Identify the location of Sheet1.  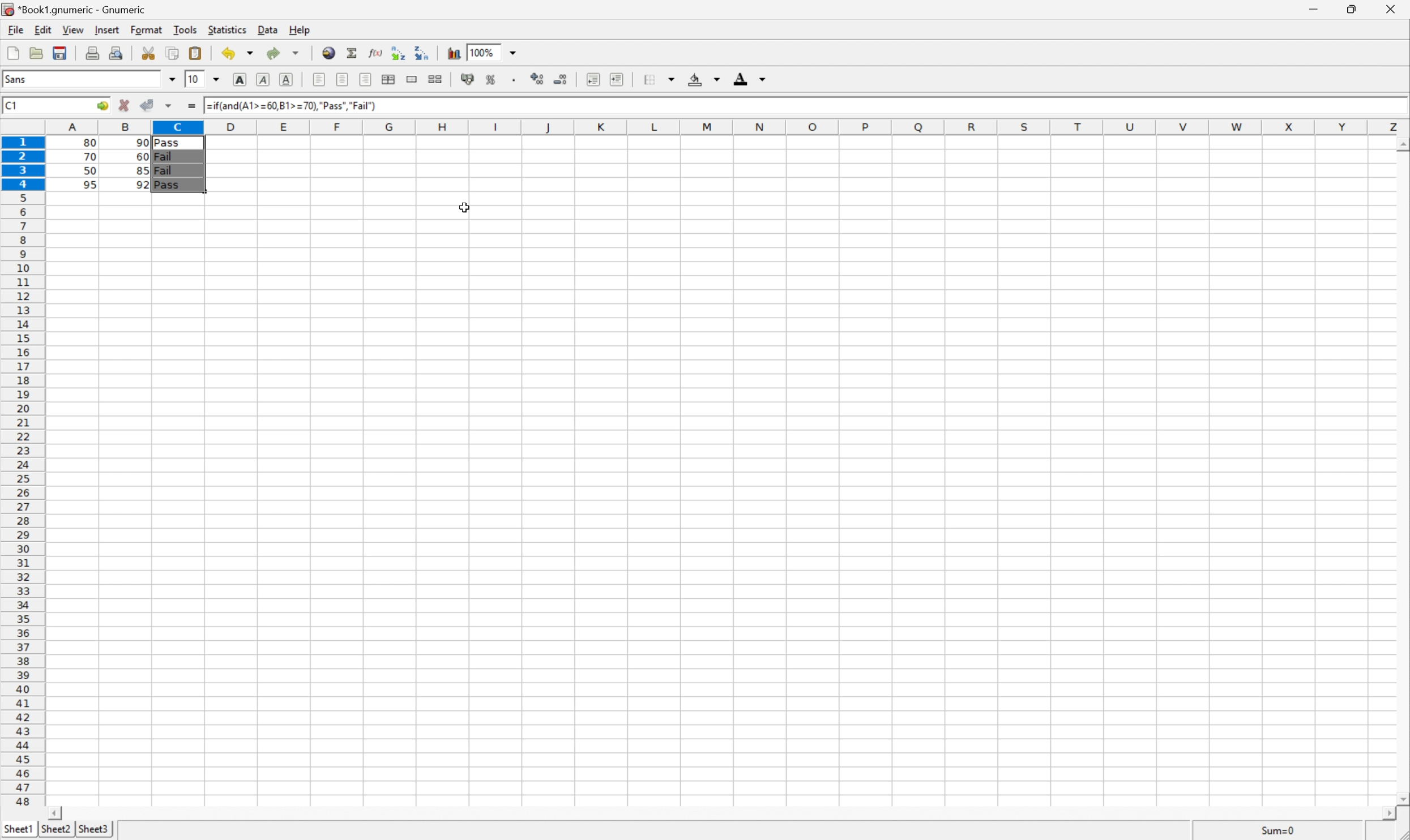
(19, 828).